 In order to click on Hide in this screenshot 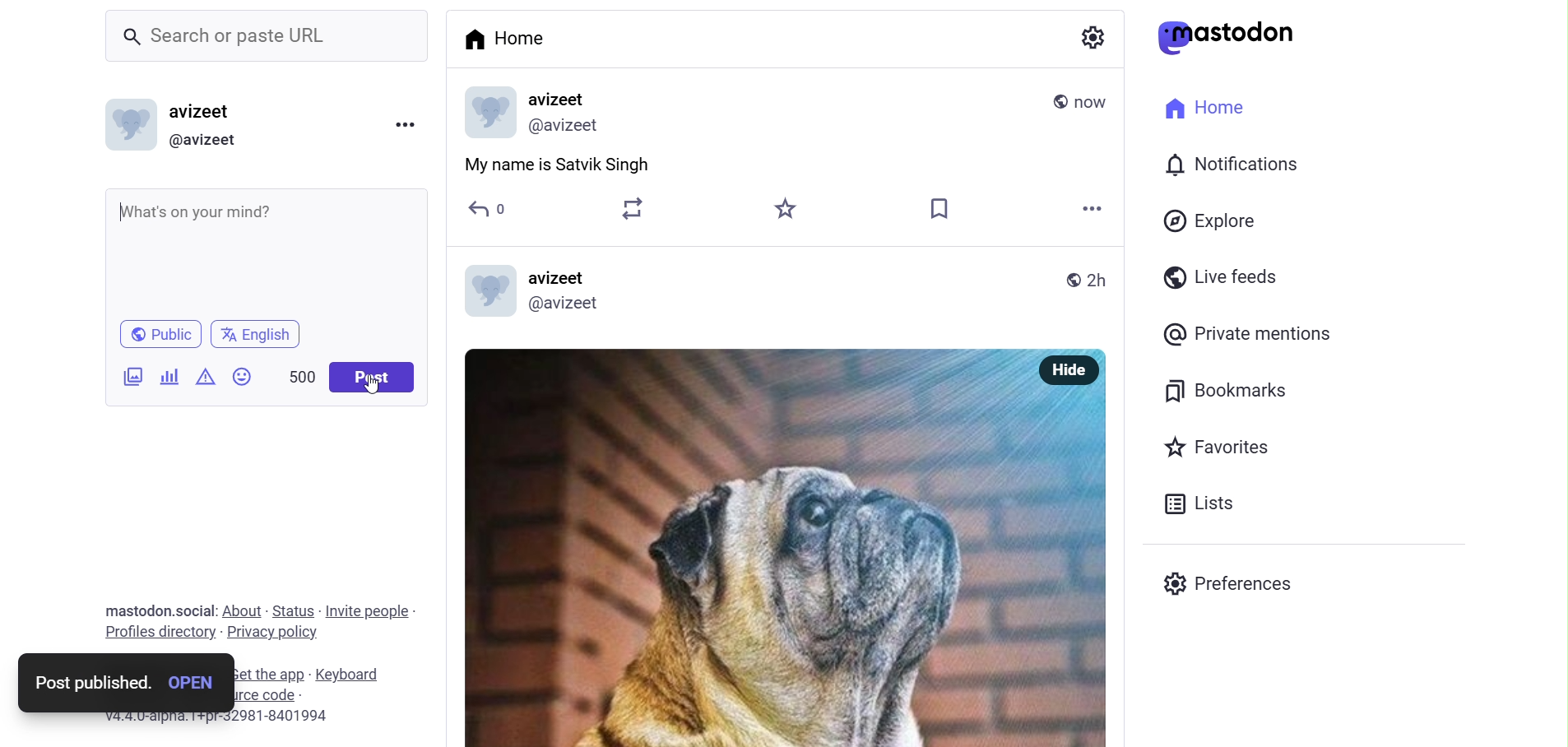, I will do `click(1069, 370)`.